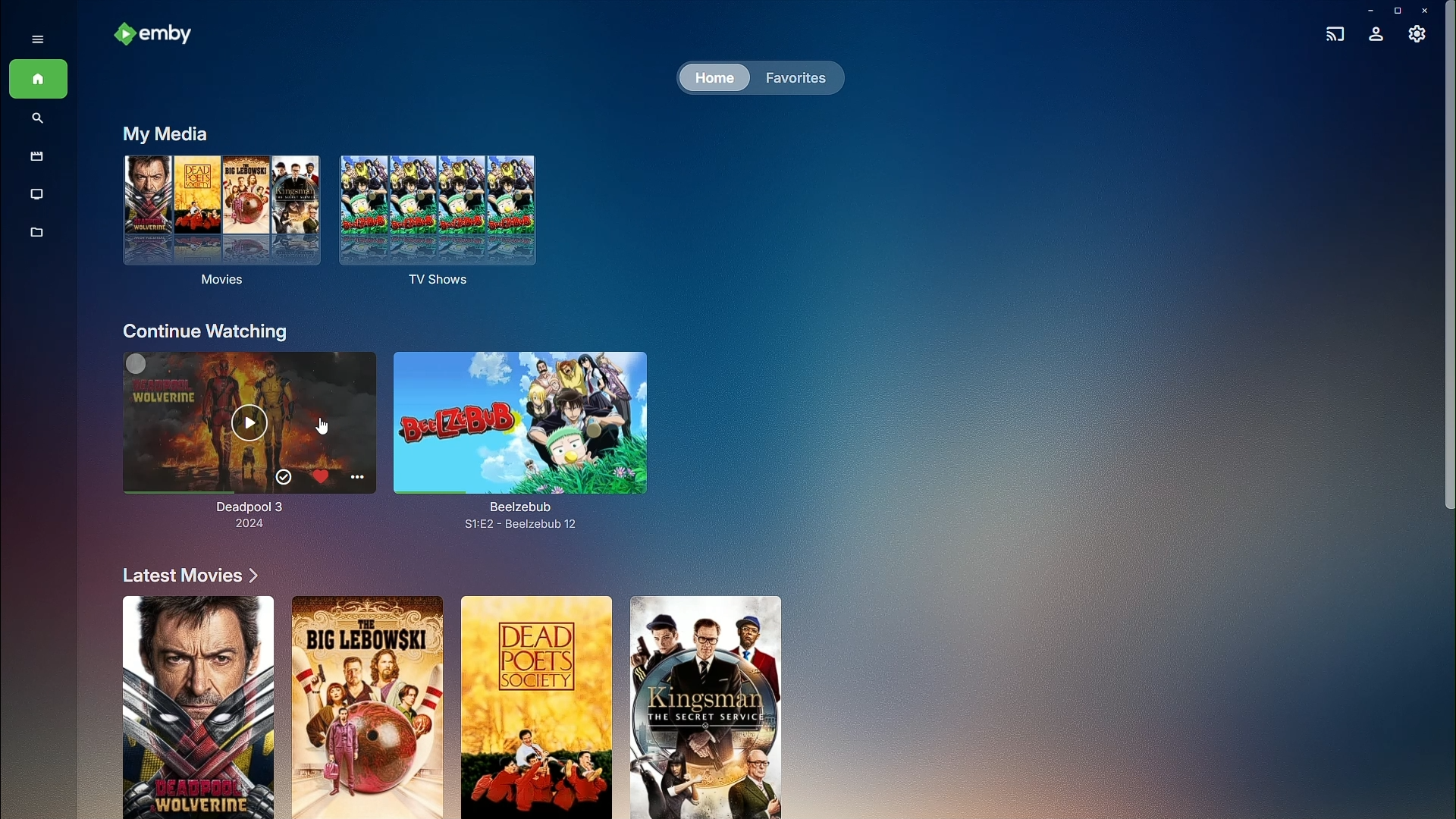  I want to click on Restore, so click(1395, 9).